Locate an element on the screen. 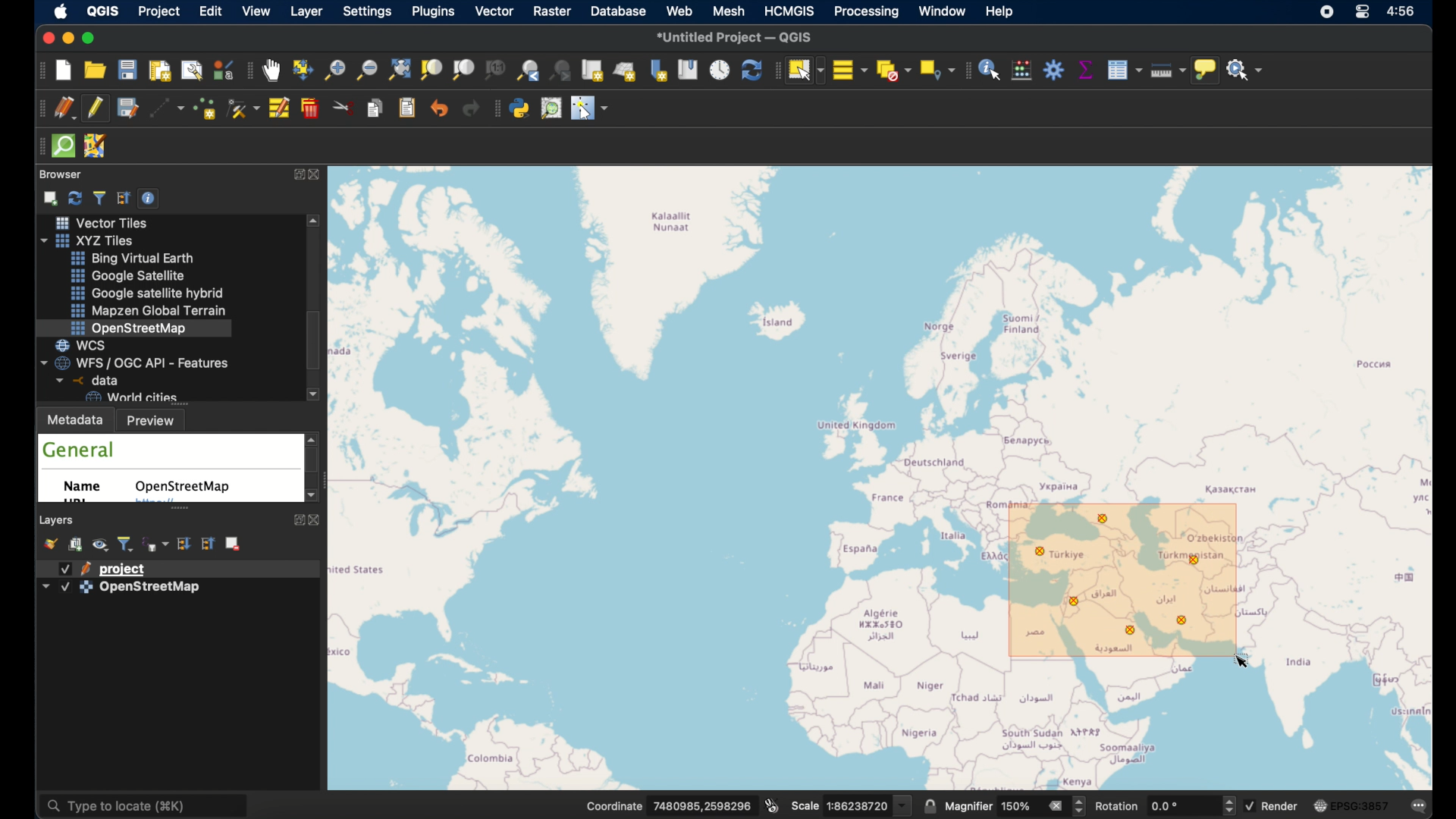  new spatial bookmarks is located at coordinates (659, 70).